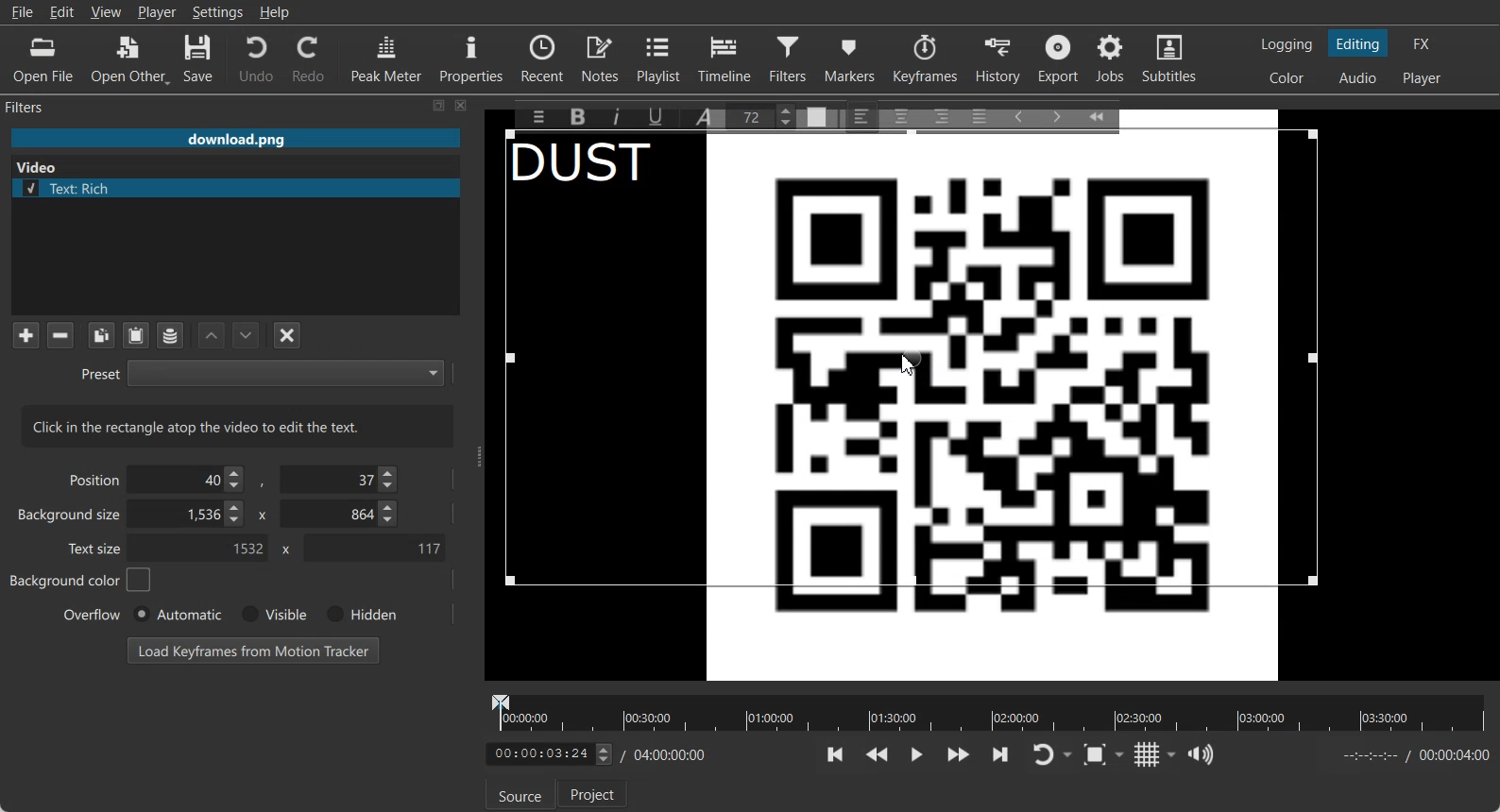 Image resolution: width=1500 pixels, height=812 pixels. Describe the element at coordinates (917, 754) in the screenshot. I see `Toggle play` at that location.